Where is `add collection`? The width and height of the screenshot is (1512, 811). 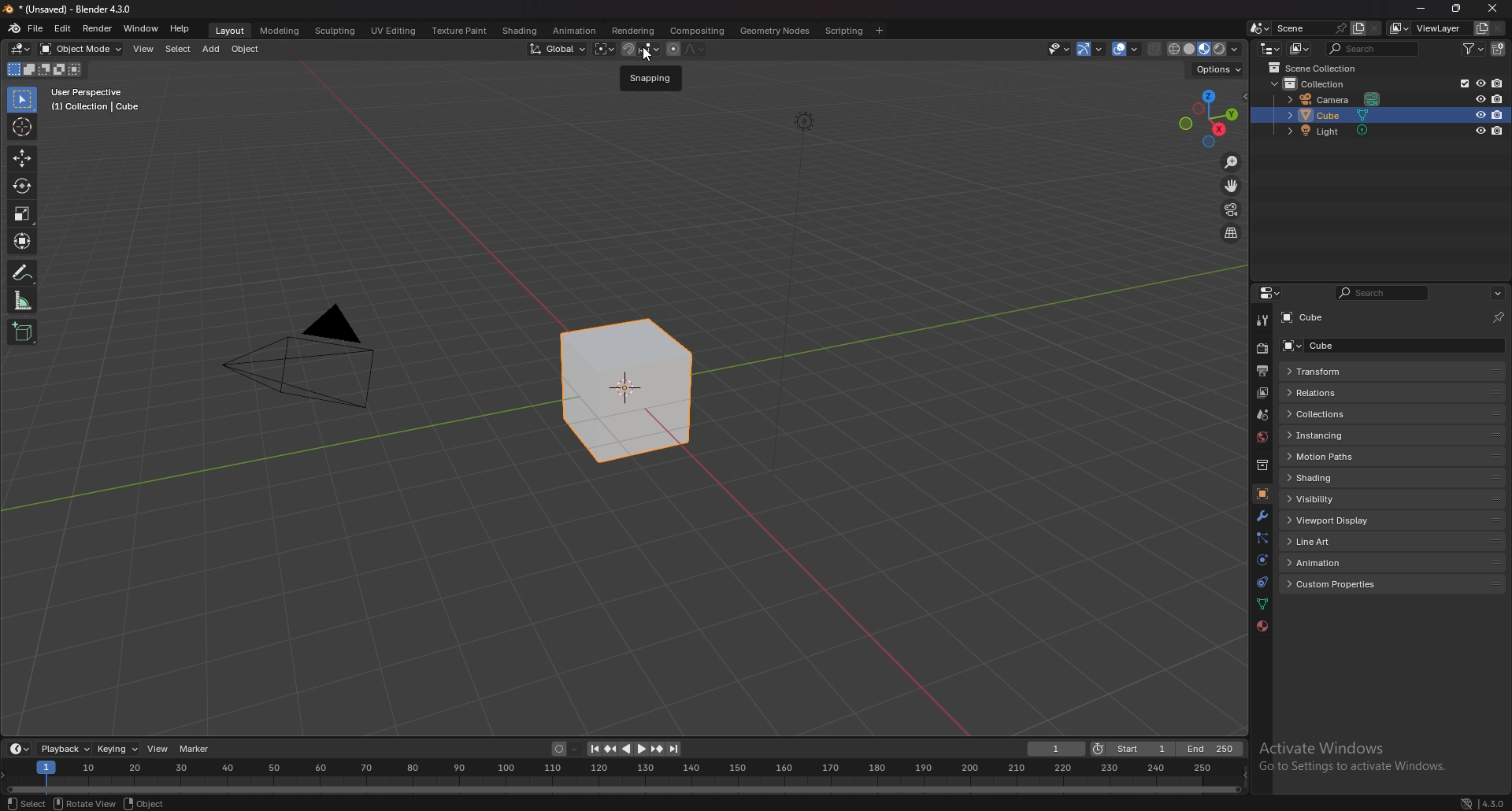
add collection is located at coordinates (1499, 48).